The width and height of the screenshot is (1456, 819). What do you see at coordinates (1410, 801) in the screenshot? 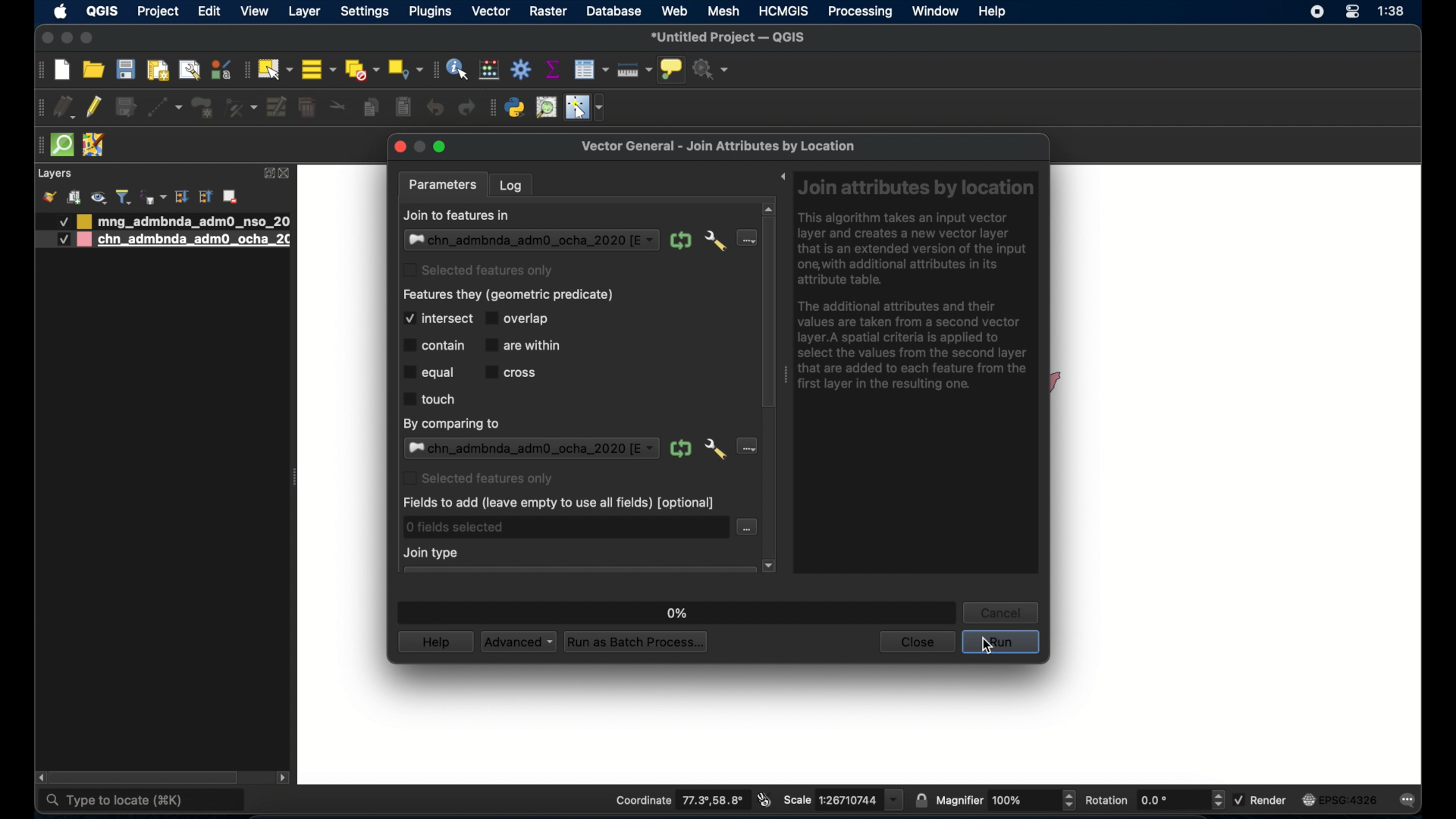
I see `messages` at bounding box center [1410, 801].